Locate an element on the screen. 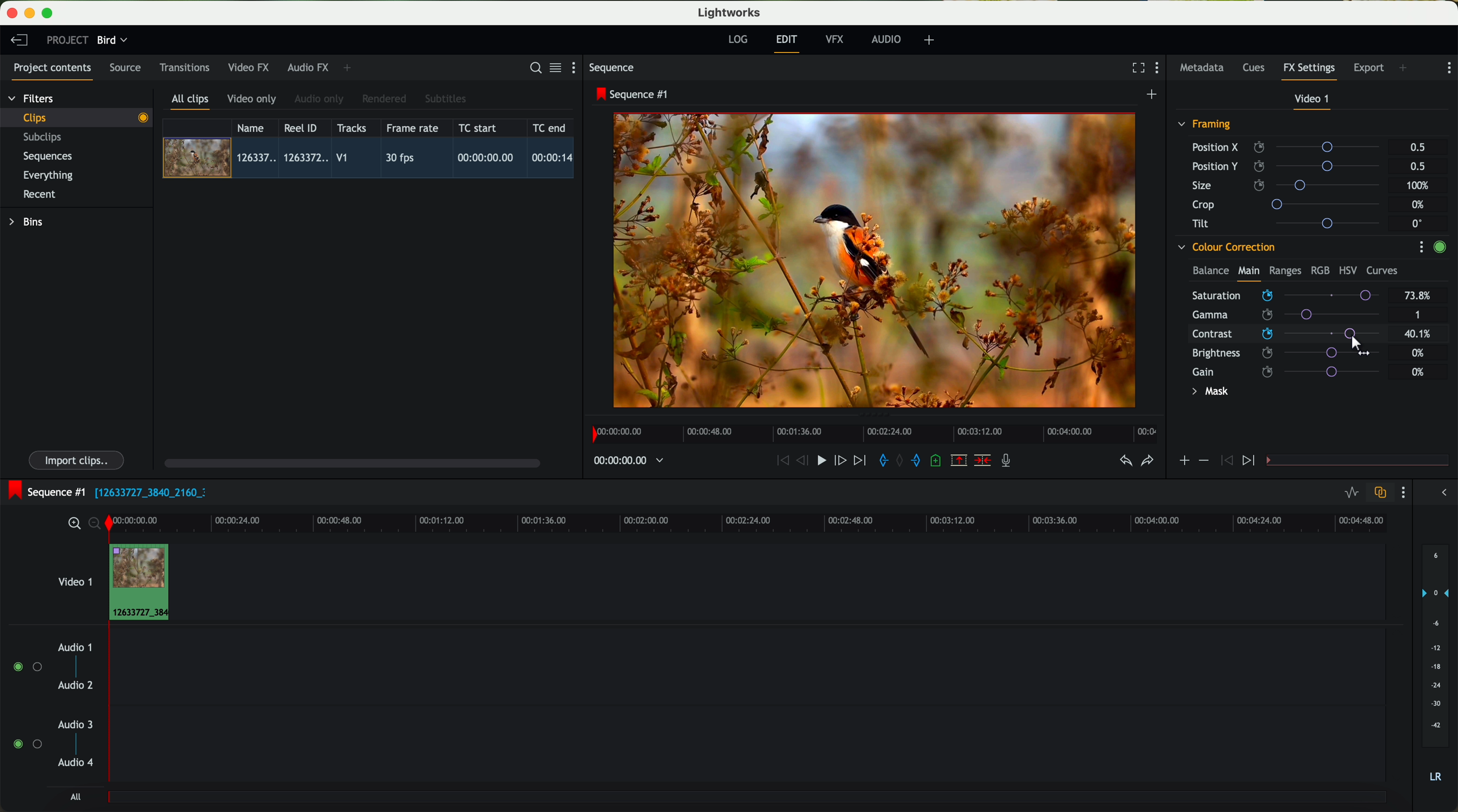 This screenshot has height=812, width=1458. clips is located at coordinates (77, 117).